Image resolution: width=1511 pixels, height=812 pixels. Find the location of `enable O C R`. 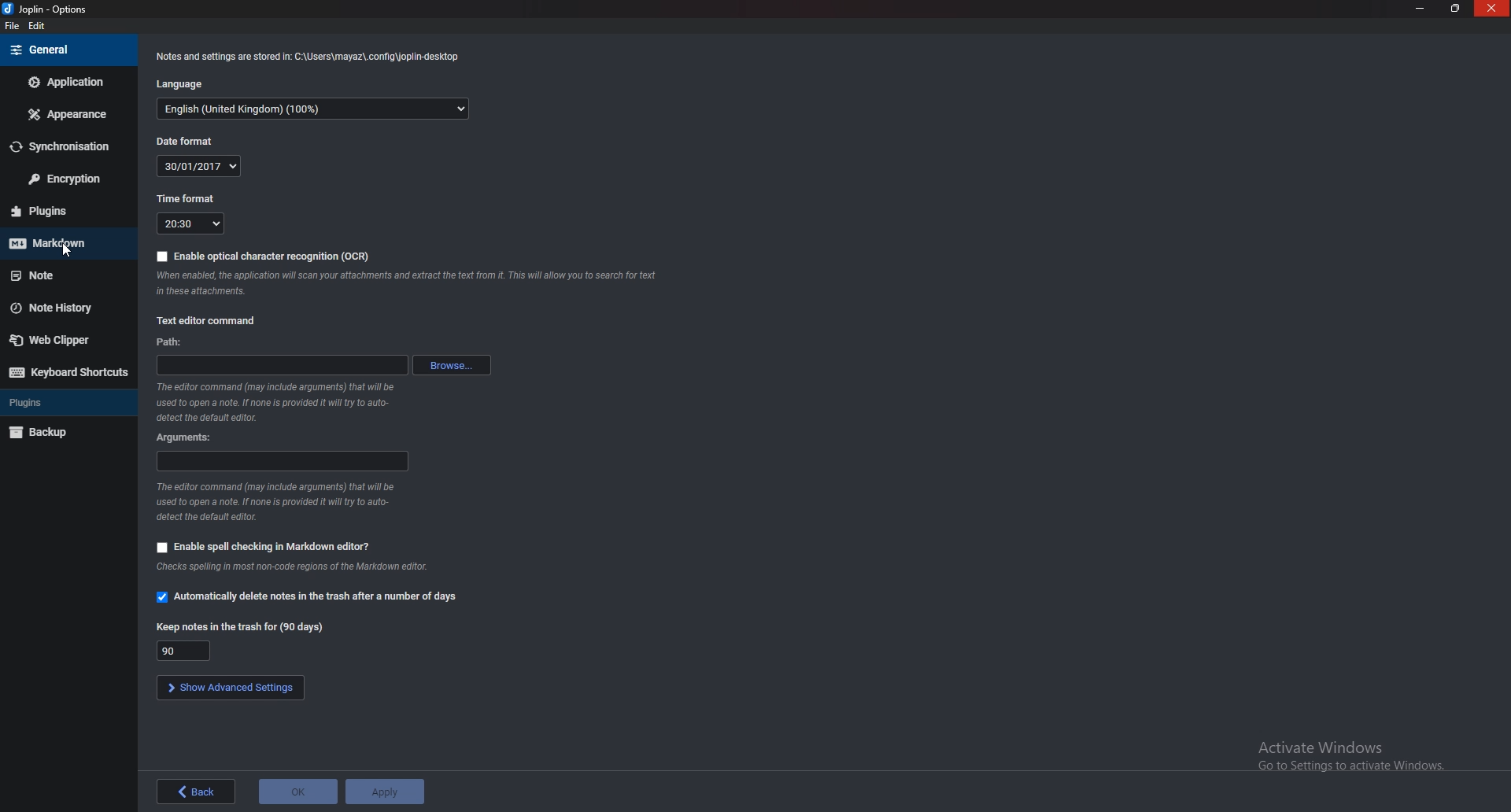

enable O C R is located at coordinates (268, 257).